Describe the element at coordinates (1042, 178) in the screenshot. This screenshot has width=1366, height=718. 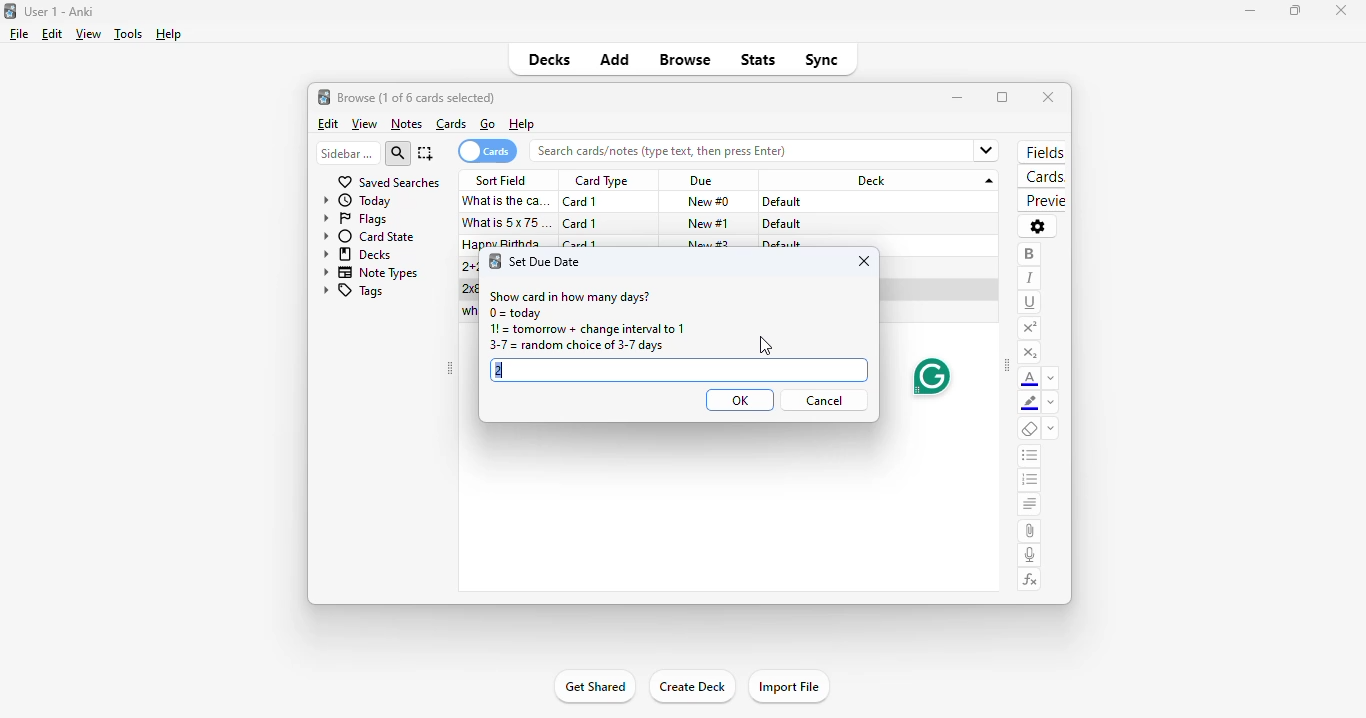
I see `cards` at that location.